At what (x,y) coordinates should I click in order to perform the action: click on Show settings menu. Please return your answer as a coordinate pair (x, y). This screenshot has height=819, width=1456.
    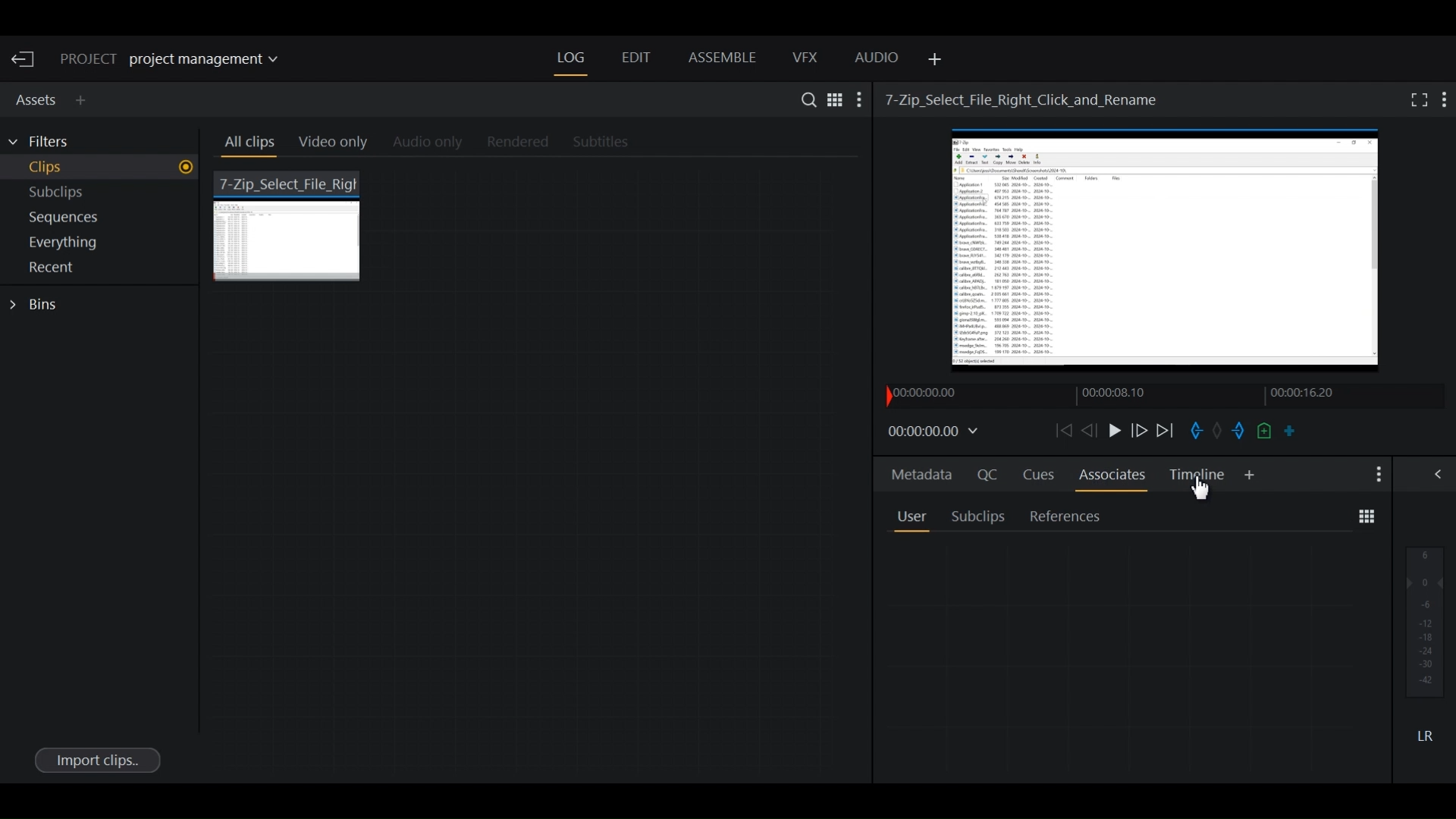
    Looking at the image, I should click on (861, 99).